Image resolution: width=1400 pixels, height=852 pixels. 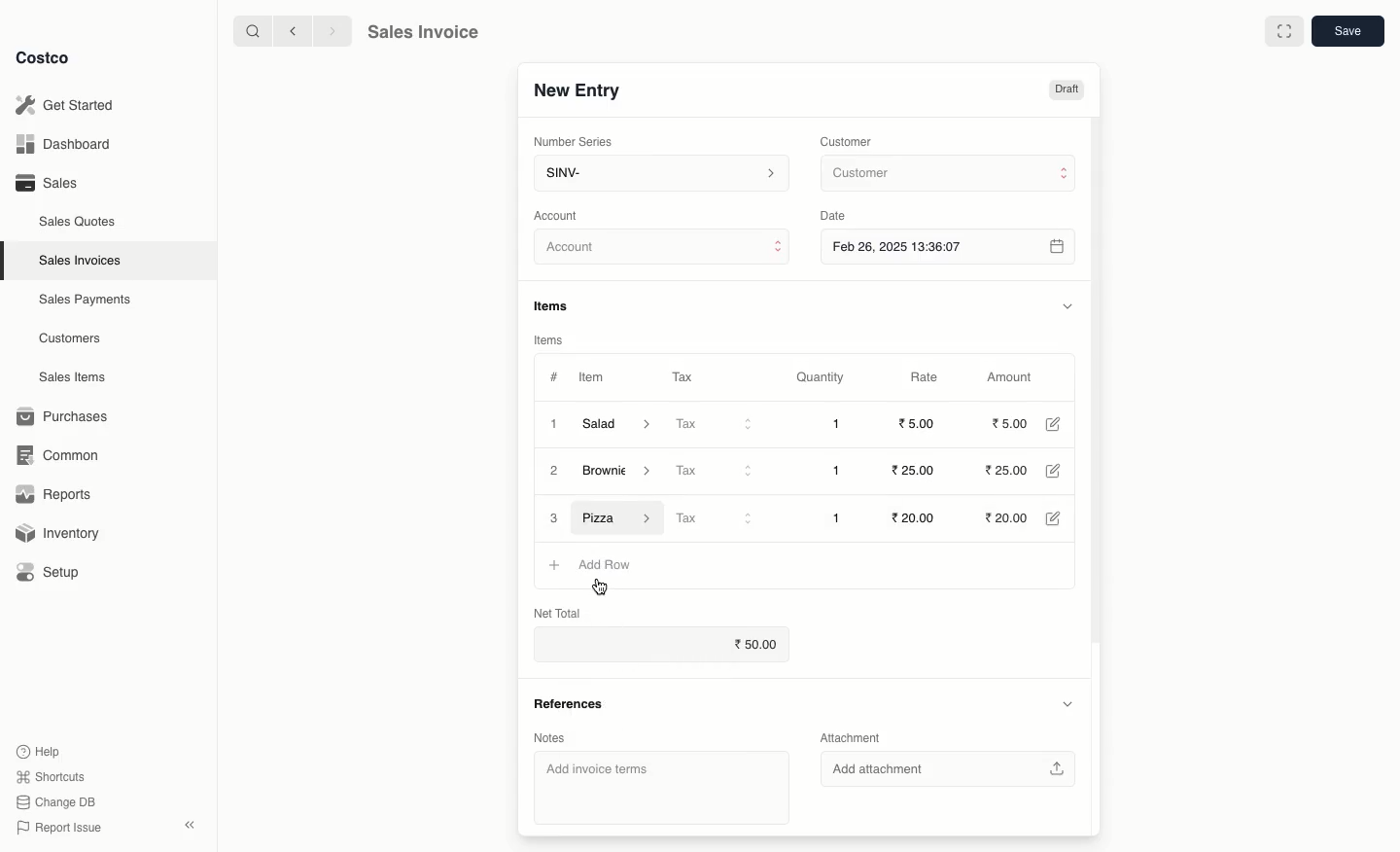 I want to click on Attachment, so click(x=852, y=739).